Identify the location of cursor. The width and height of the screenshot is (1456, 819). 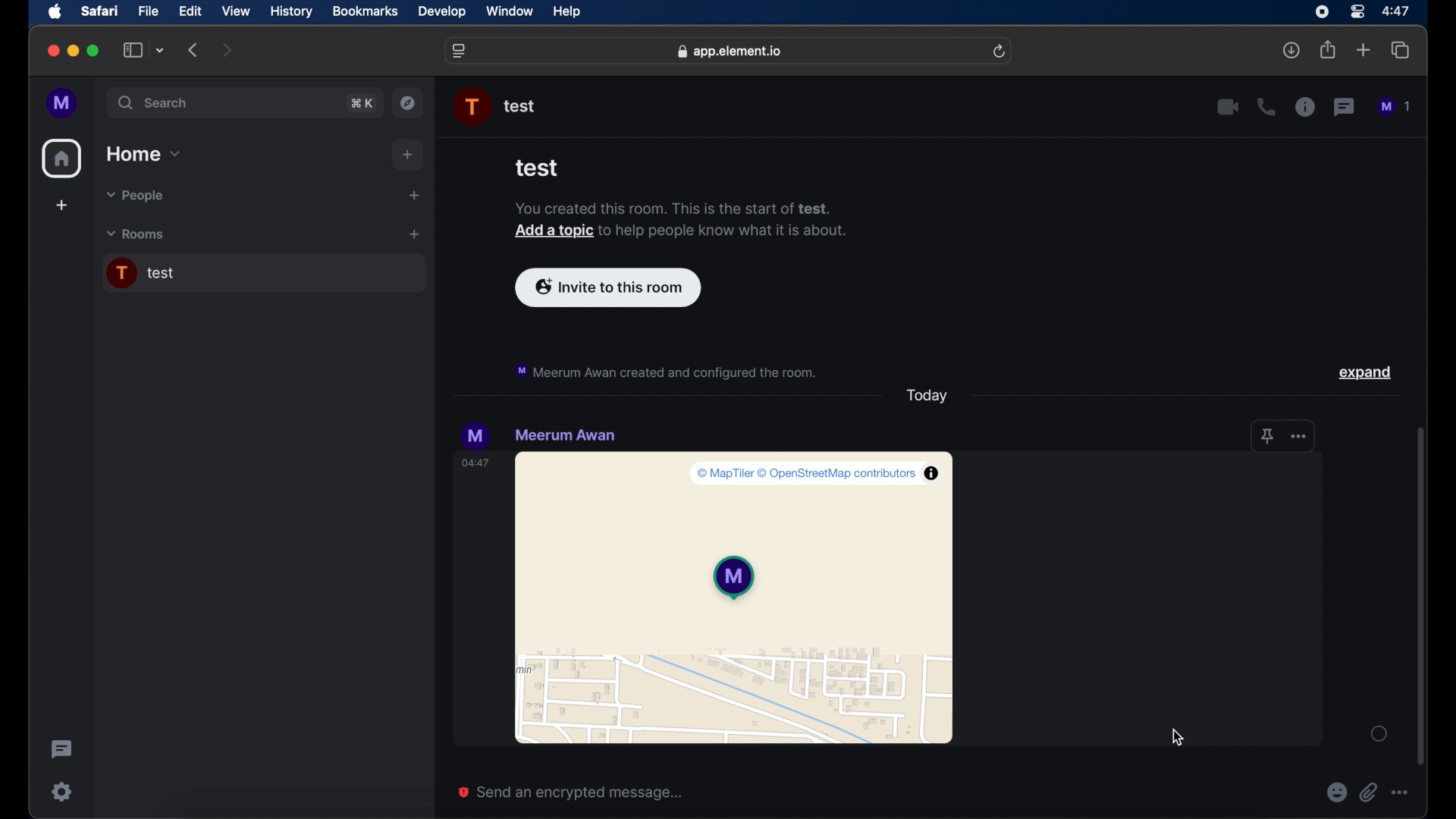
(1178, 736).